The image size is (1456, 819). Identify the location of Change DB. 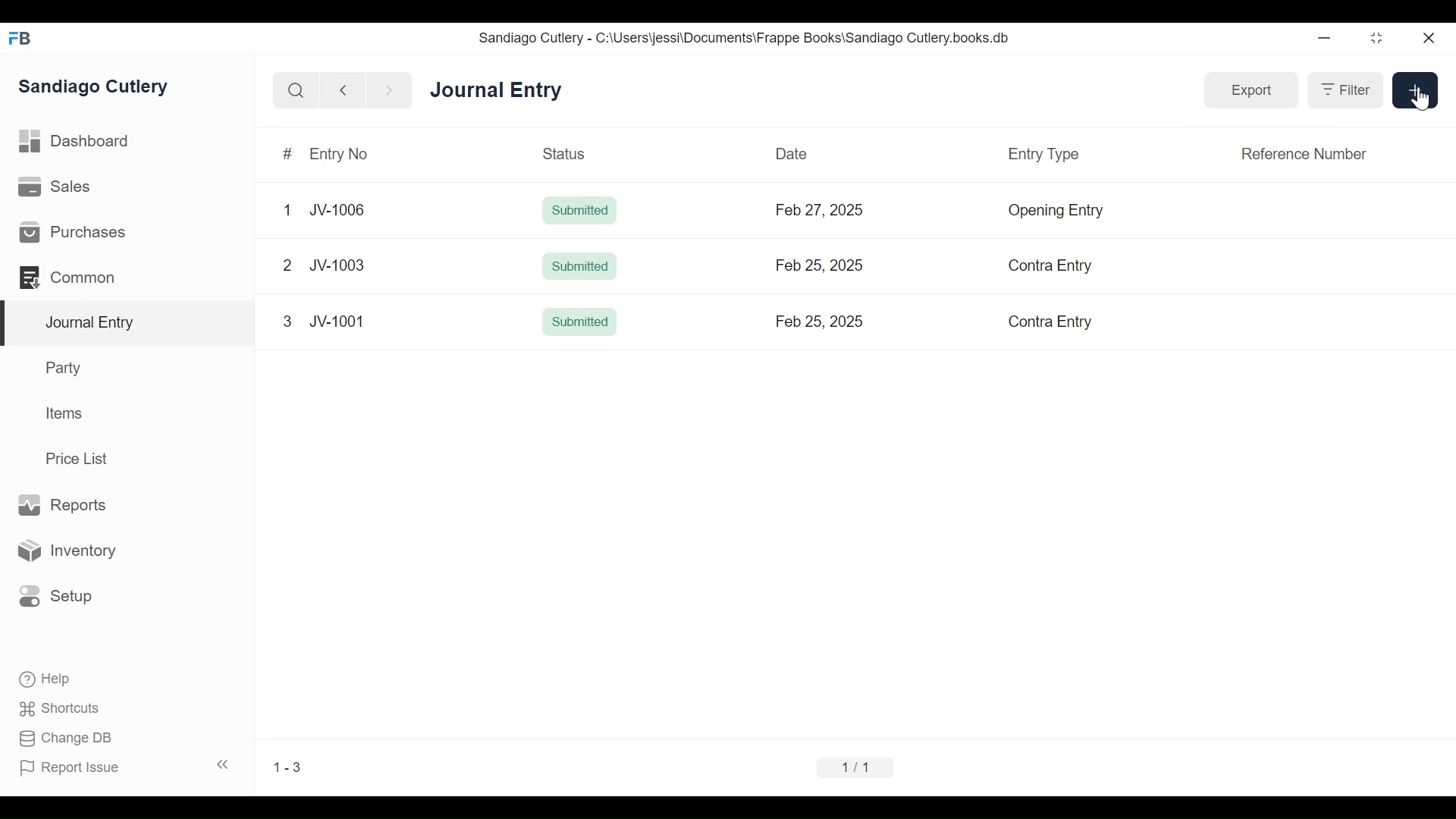
(59, 739).